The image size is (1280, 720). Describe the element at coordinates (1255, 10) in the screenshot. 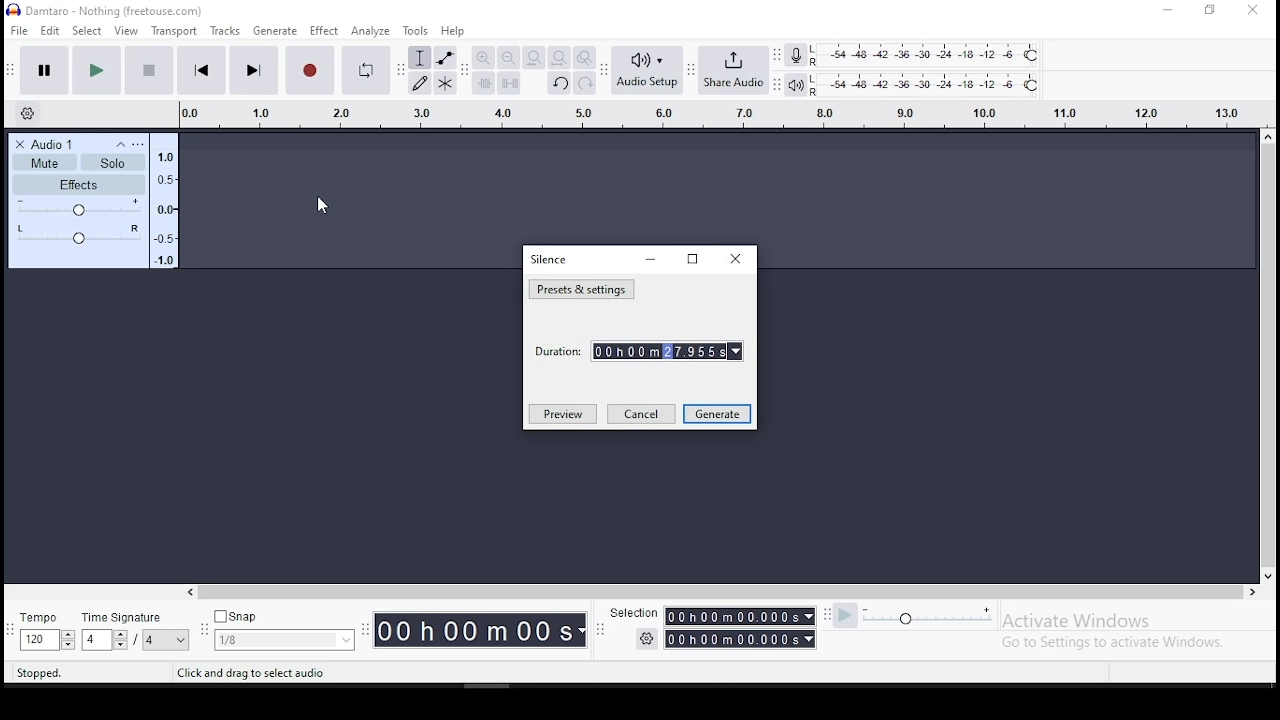

I see `close window` at that location.